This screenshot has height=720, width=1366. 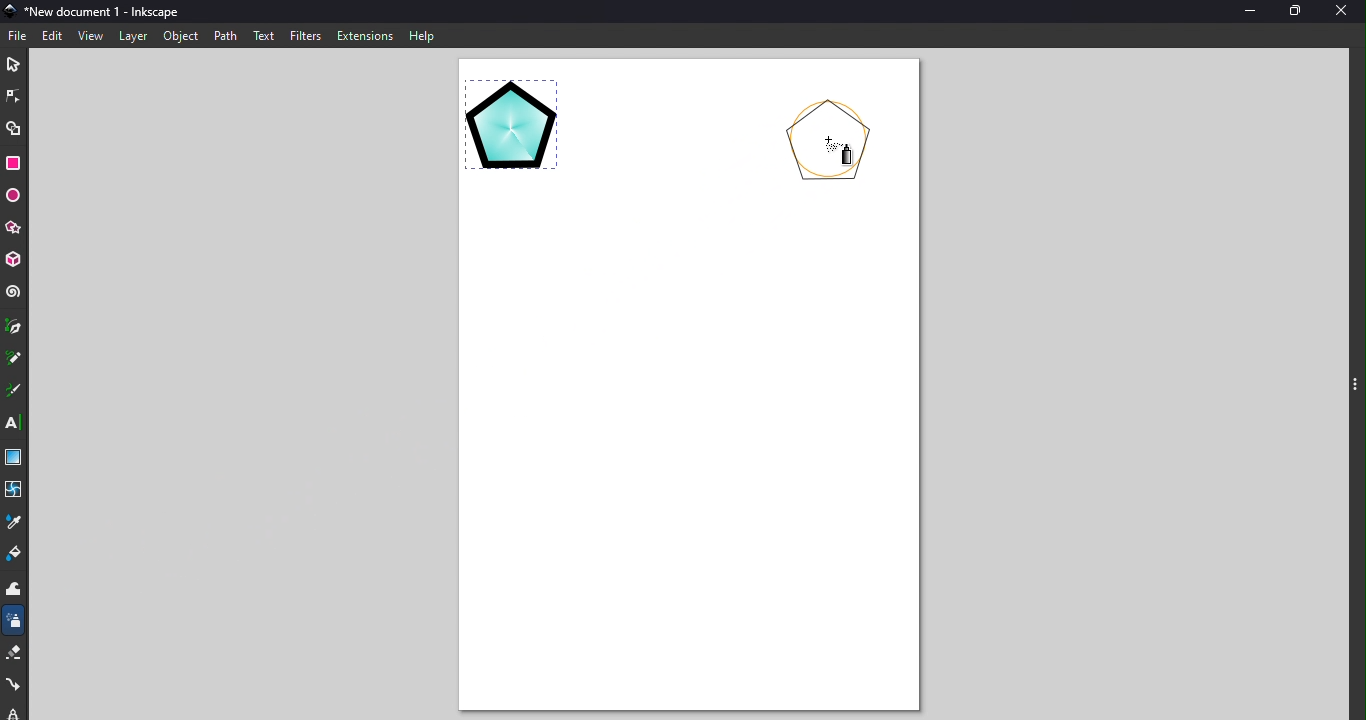 I want to click on Calligraphy tool, so click(x=13, y=390).